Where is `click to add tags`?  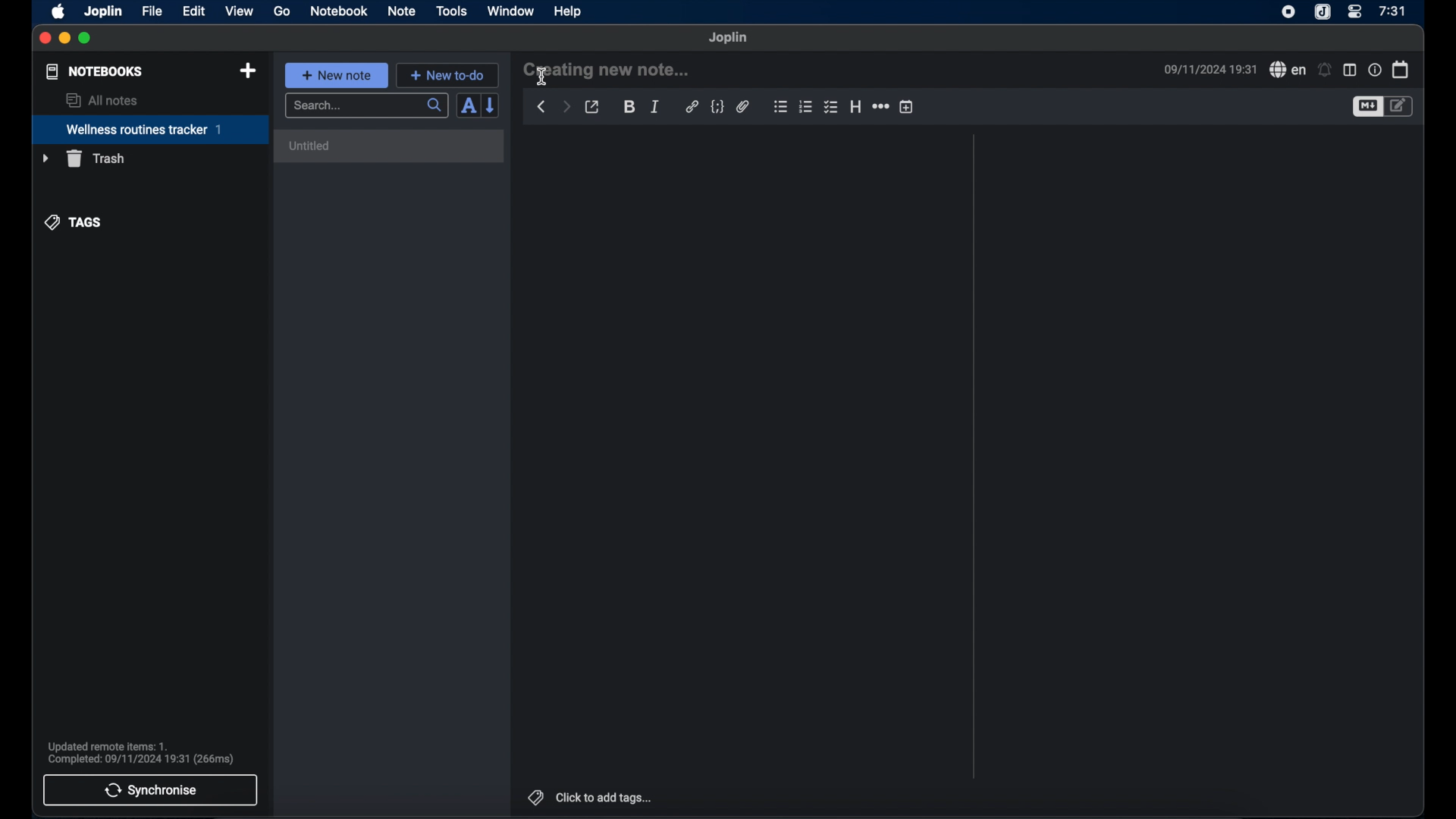 click to add tags is located at coordinates (605, 797).